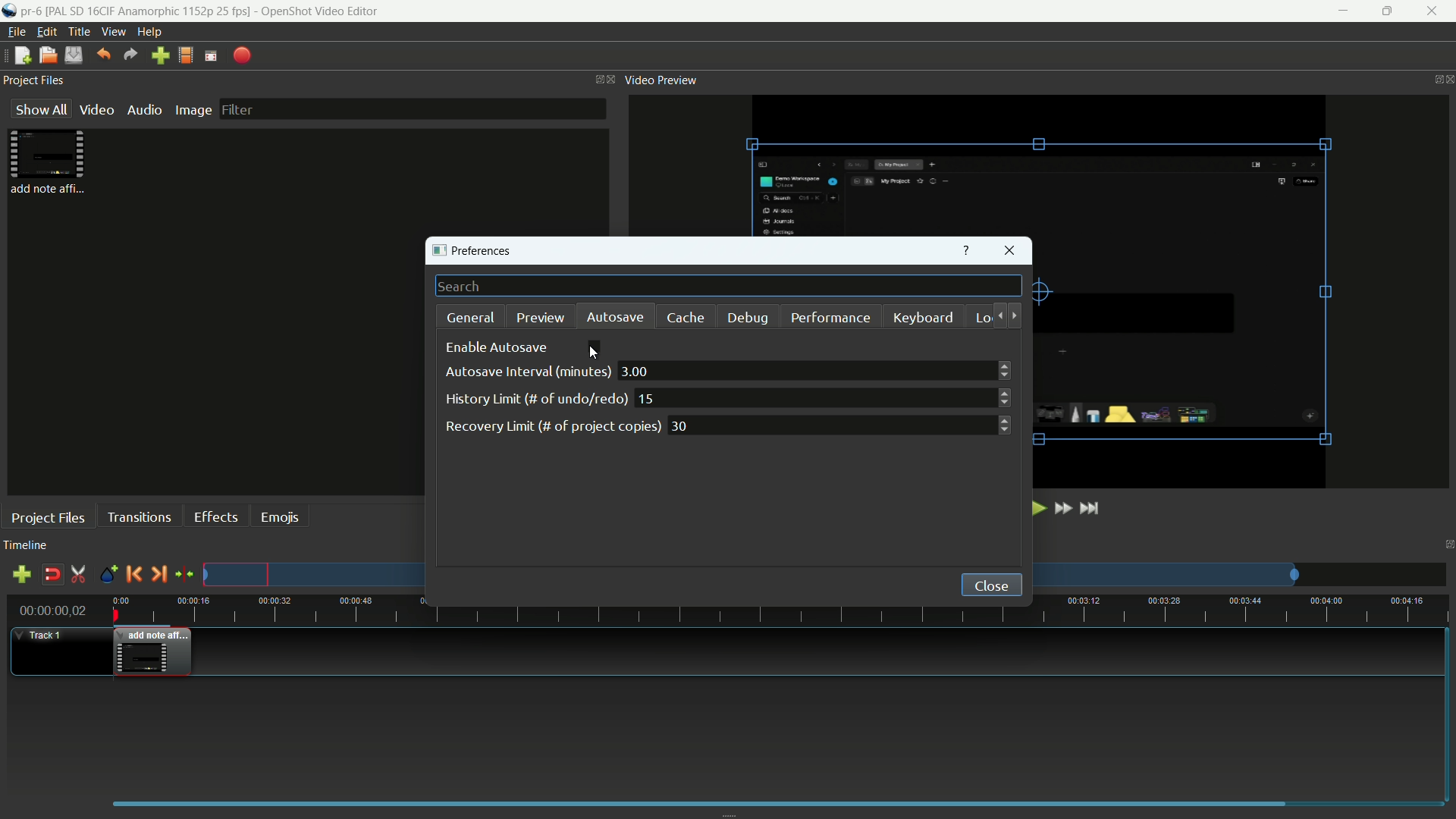  Describe the element at coordinates (211, 56) in the screenshot. I see `full screen` at that location.